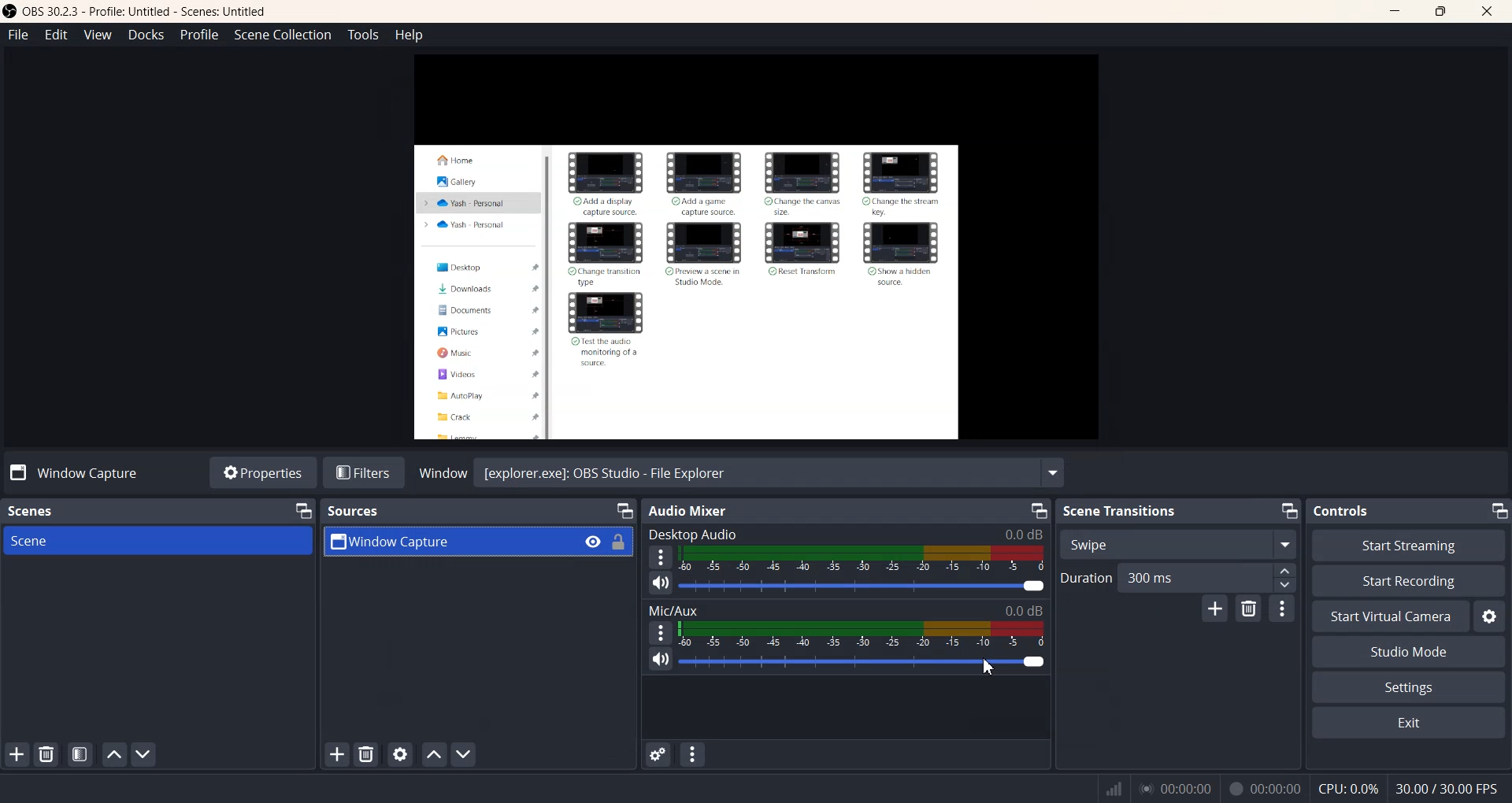  I want to click on Maximize, so click(1442, 13).